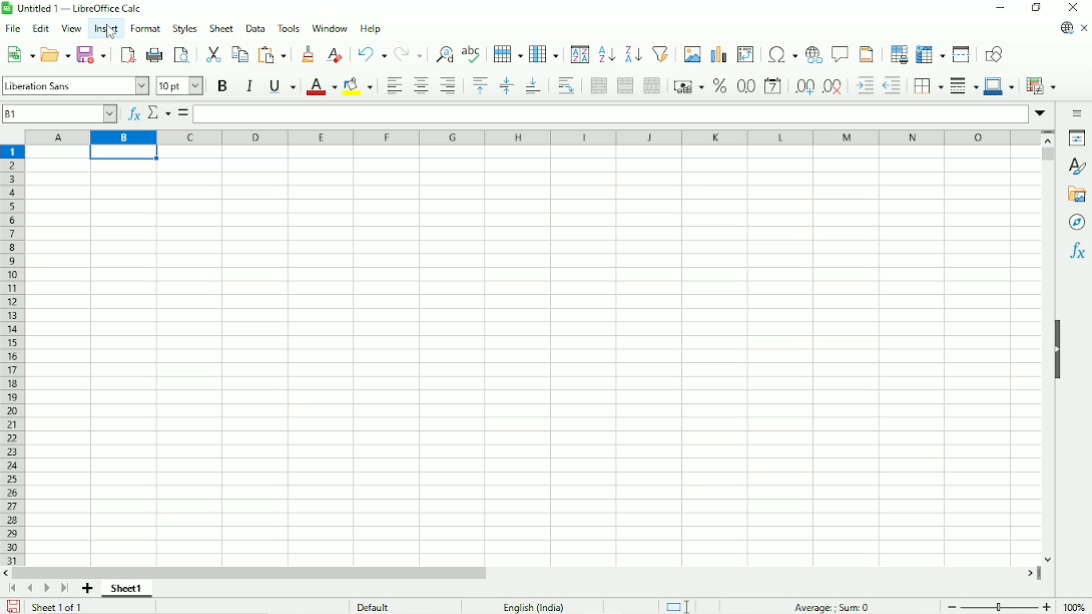 The height and width of the screenshot is (614, 1092). I want to click on Row, so click(507, 54).